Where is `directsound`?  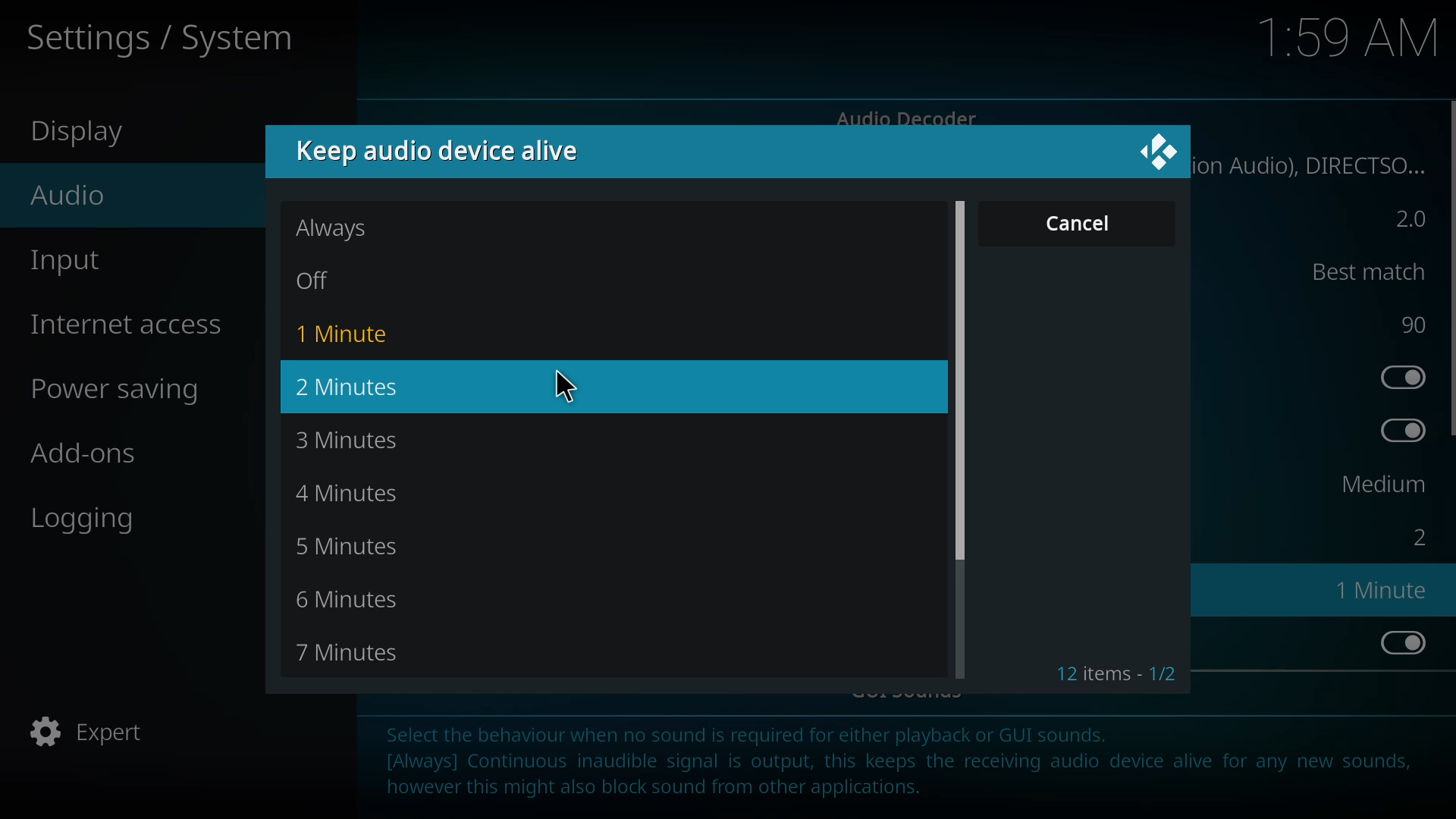 directsound is located at coordinates (1318, 165).